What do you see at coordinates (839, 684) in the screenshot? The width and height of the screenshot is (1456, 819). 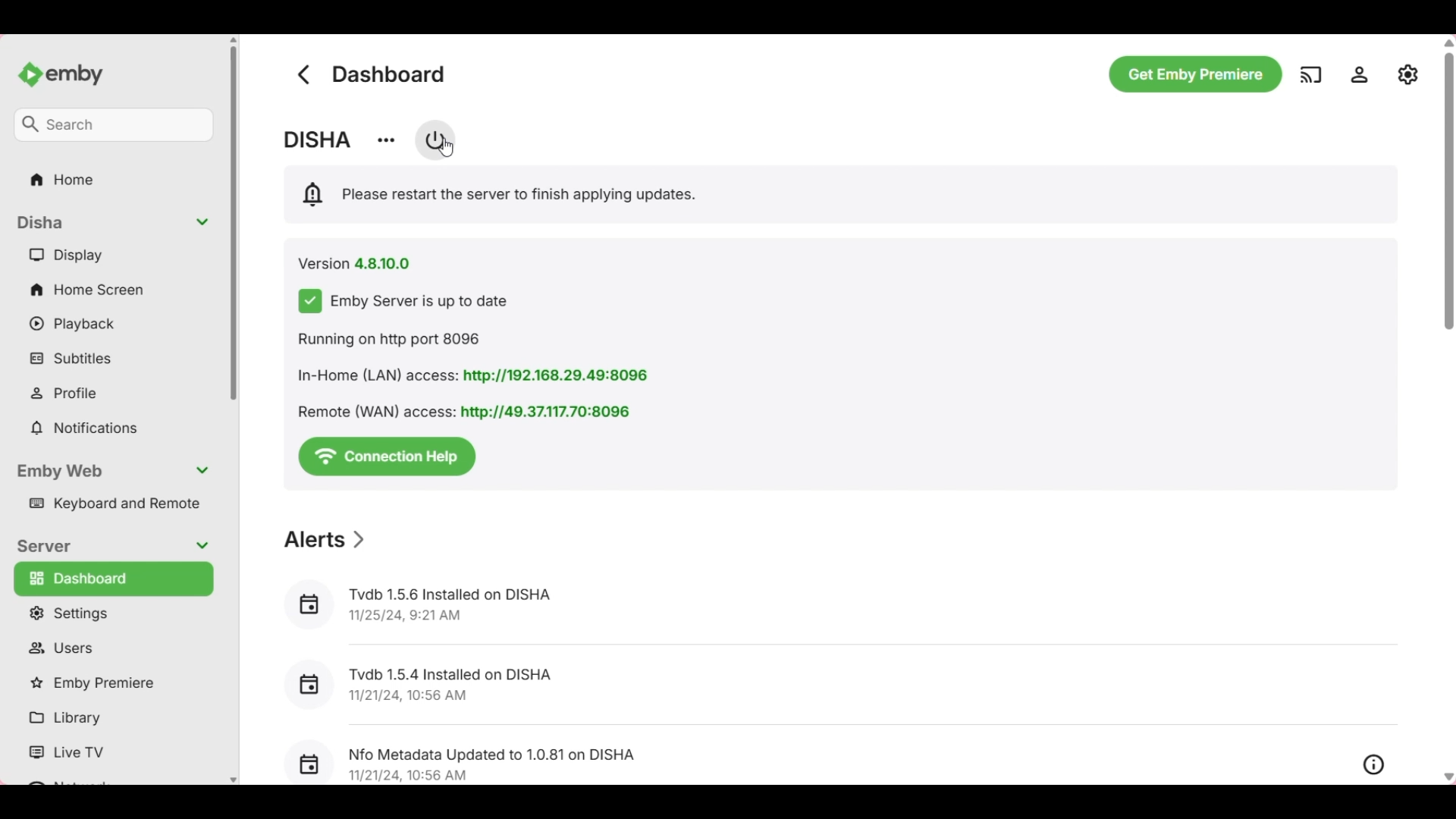 I see `Recent alert` at bounding box center [839, 684].